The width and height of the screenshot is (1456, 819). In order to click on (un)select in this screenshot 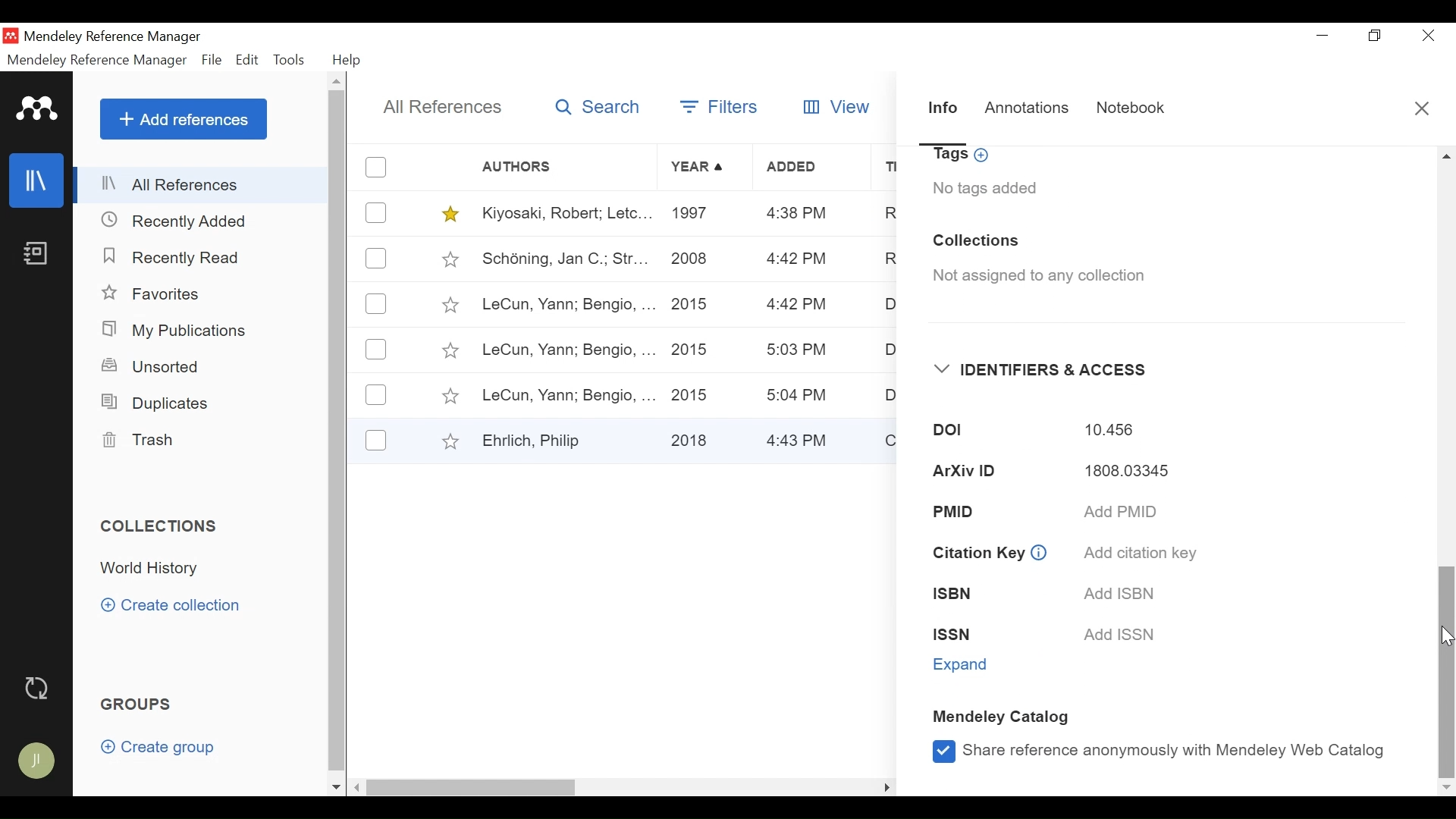, I will do `click(376, 395)`.